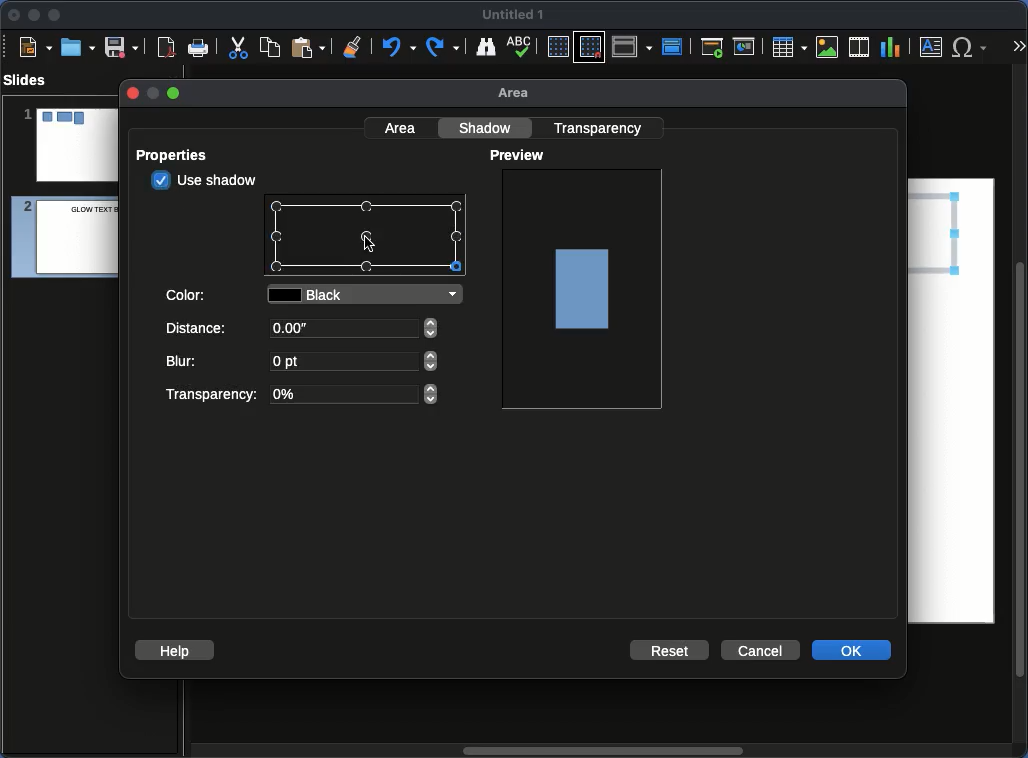 Image resolution: width=1028 pixels, height=758 pixels. What do you see at coordinates (759, 651) in the screenshot?
I see `Cancel` at bounding box center [759, 651].